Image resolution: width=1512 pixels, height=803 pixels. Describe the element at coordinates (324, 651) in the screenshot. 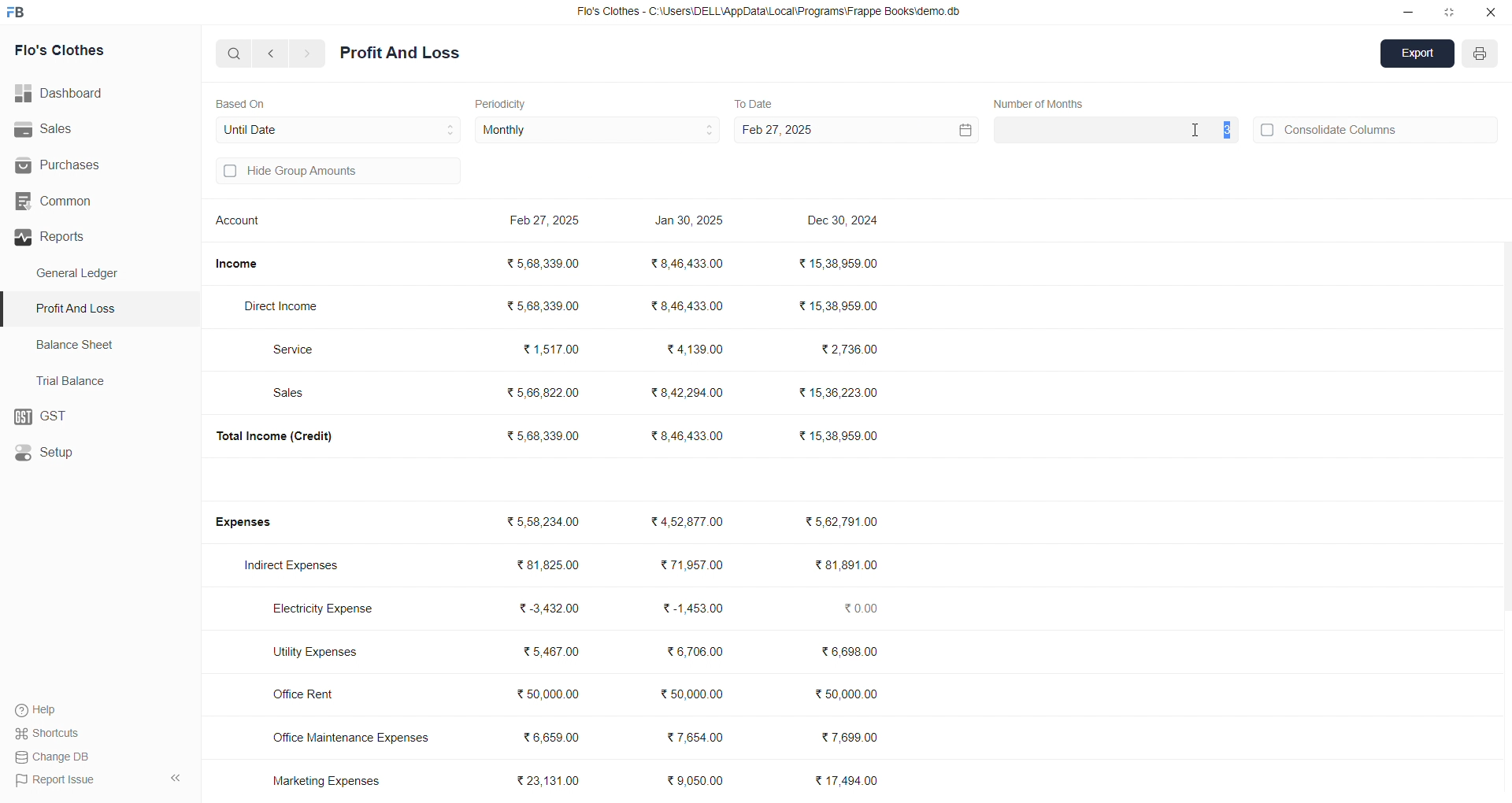

I see `Utility Expenses.` at that location.